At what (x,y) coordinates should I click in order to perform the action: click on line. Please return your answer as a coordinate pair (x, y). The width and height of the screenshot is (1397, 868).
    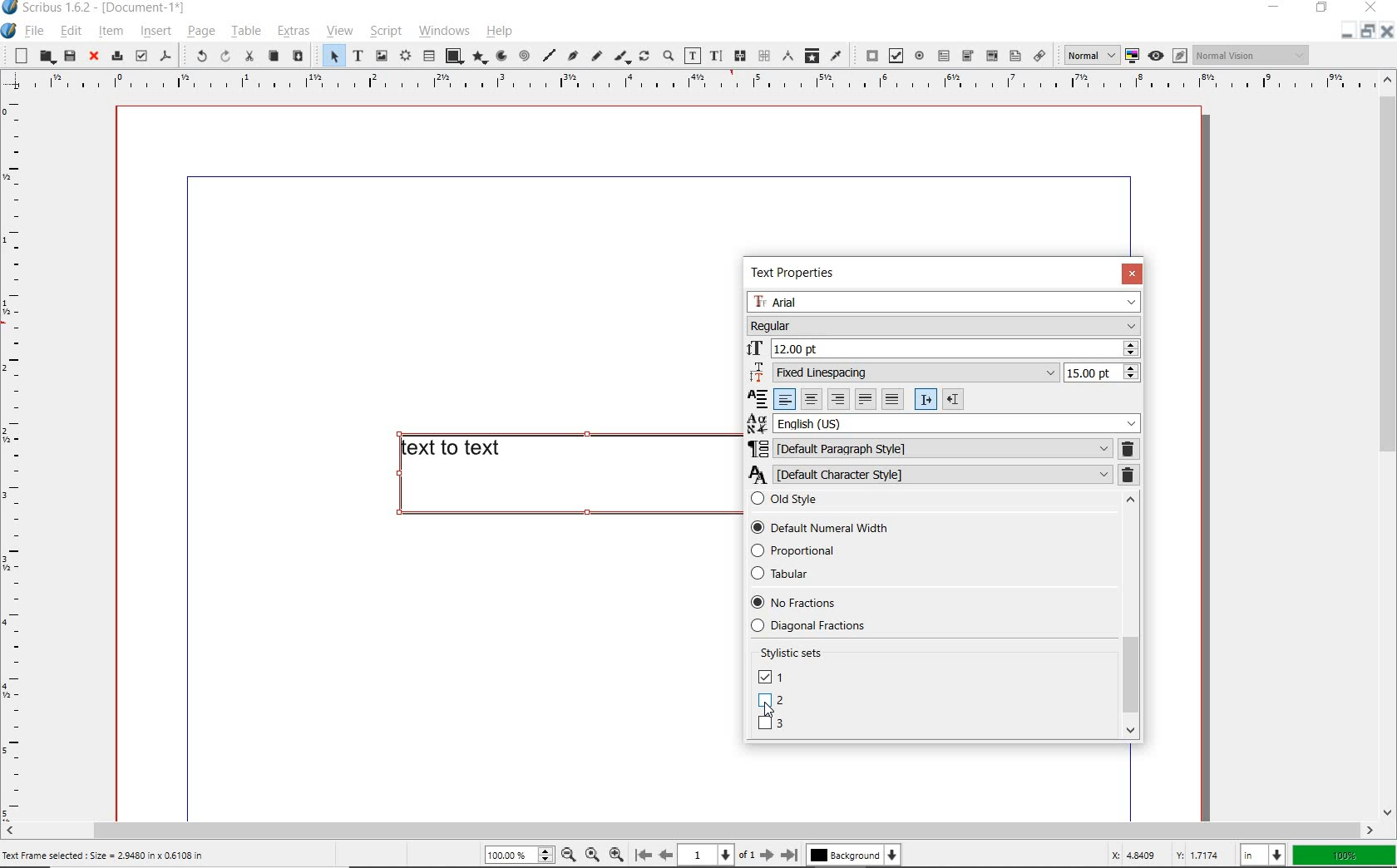
    Looking at the image, I should click on (548, 55).